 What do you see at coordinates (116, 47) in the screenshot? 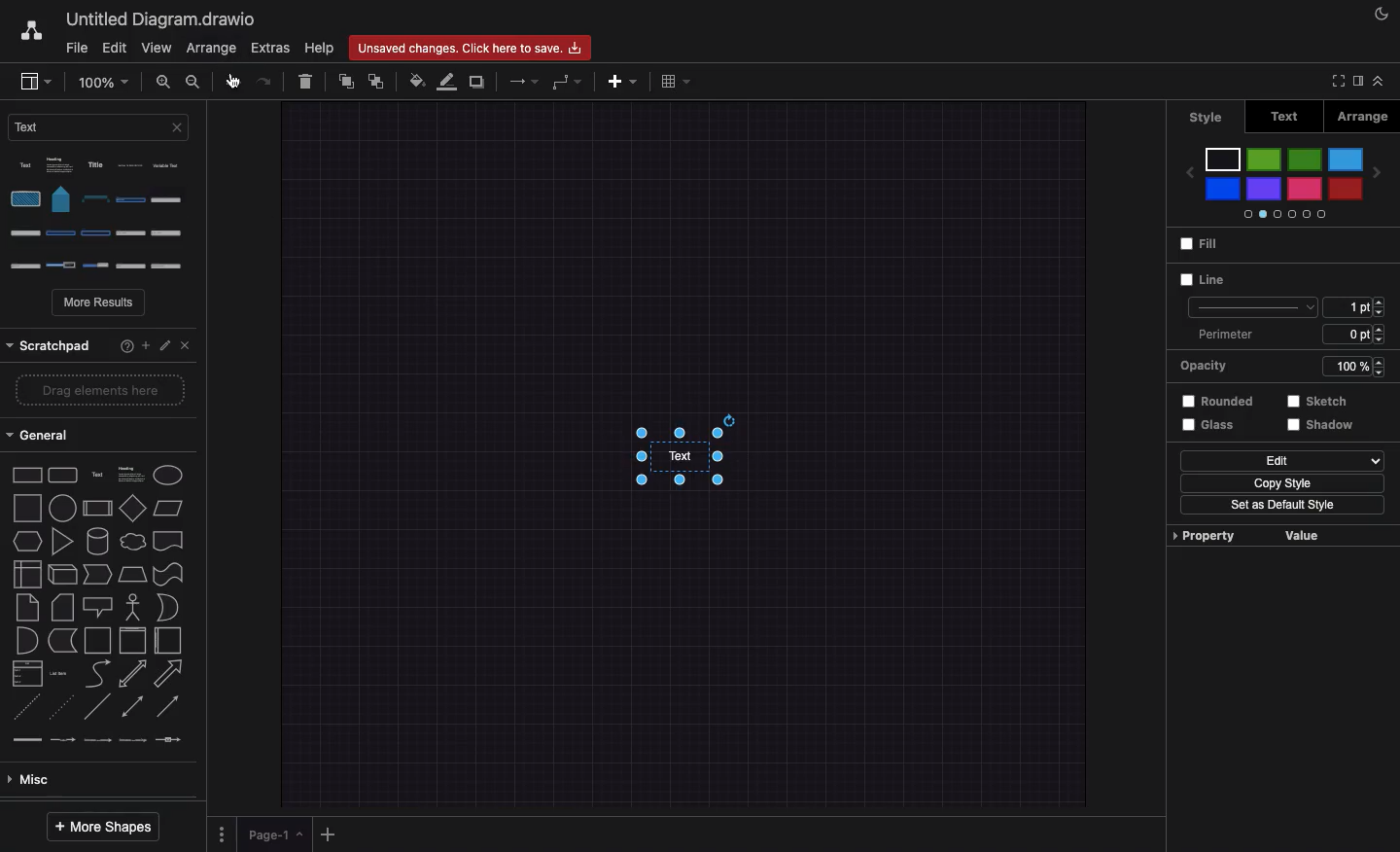
I see `Edit` at bounding box center [116, 47].